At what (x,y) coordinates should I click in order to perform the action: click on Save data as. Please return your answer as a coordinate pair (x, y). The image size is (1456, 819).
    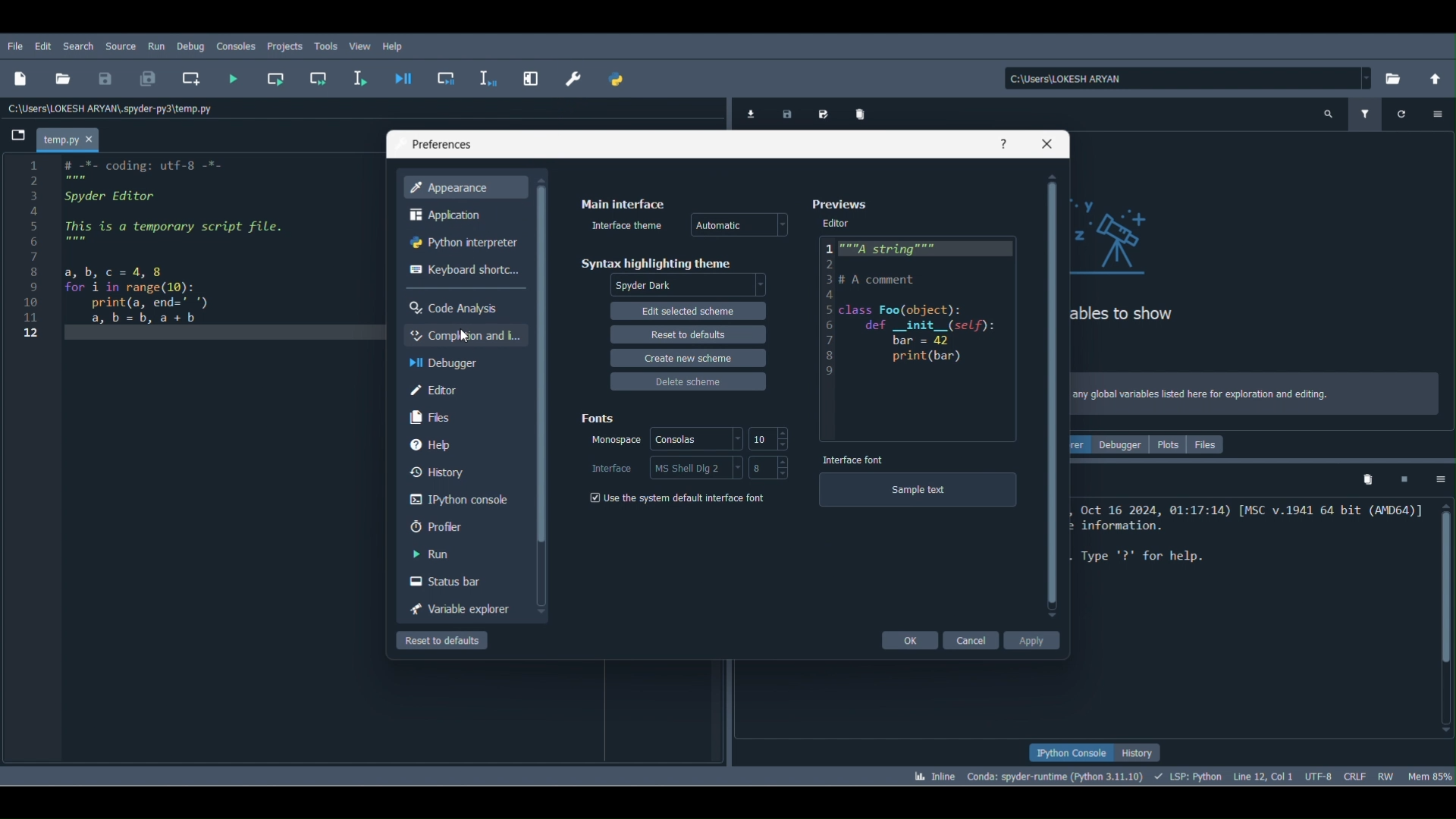
    Looking at the image, I should click on (825, 111).